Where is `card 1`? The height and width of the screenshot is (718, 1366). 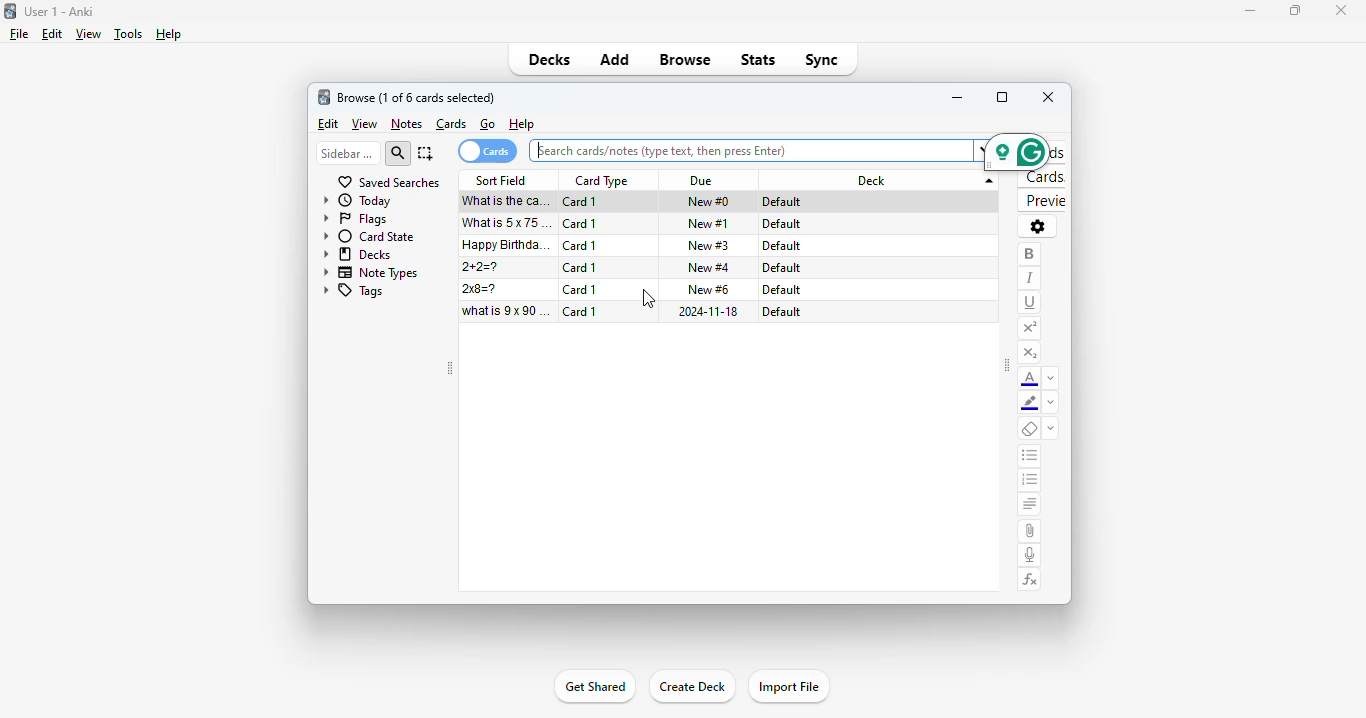 card 1 is located at coordinates (581, 202).